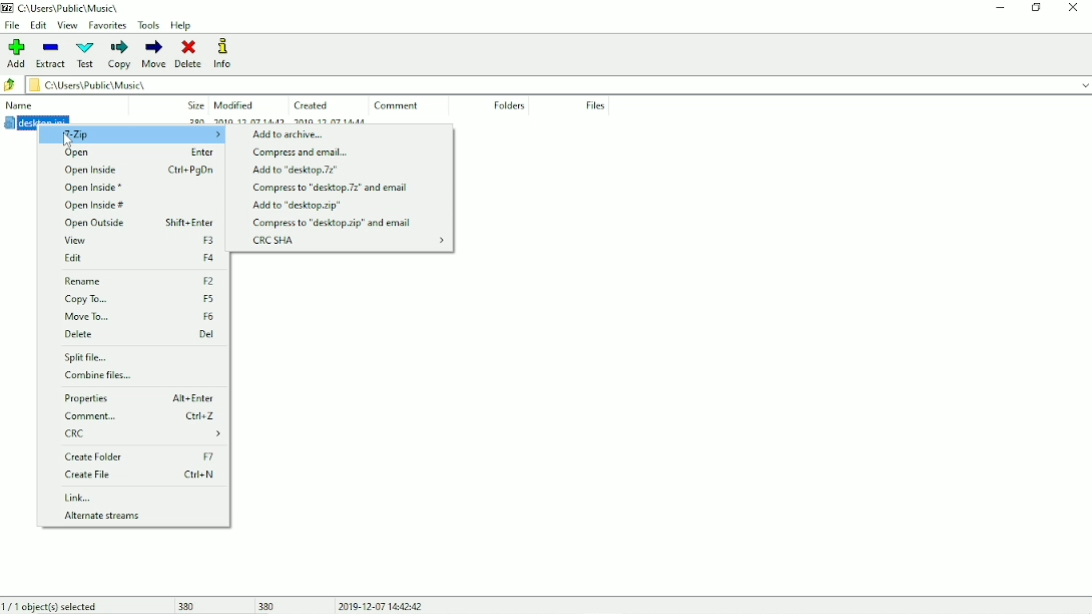 Image resolution: width=1092 pixels, height=614 pixels. Describe the element at coordinates (329, 189) in the screenshot. I see `Compress to "desktop.7z" and email` at that location.